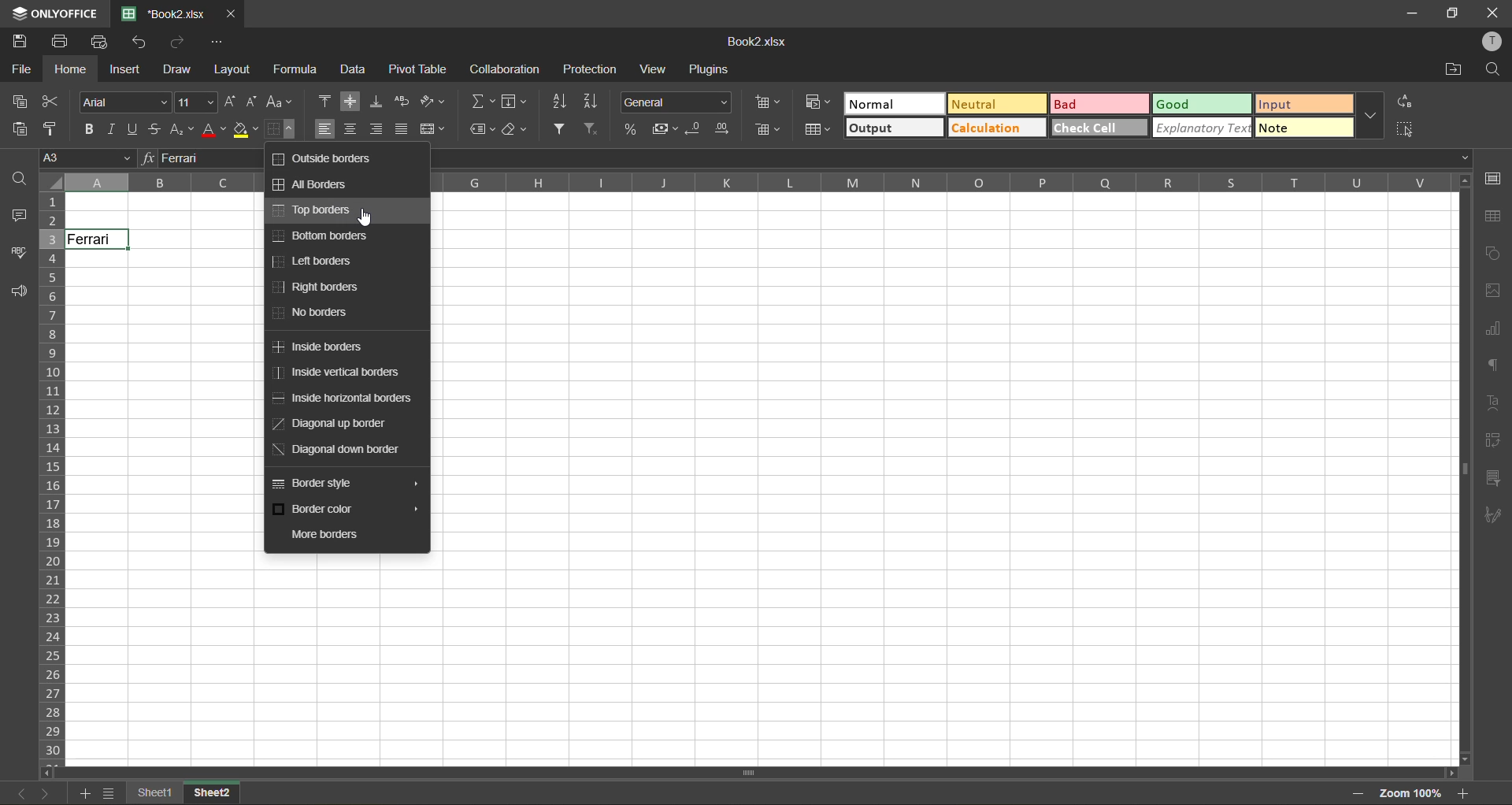 The width and height of the screenshot is (1512, 805). Describe the element at coordinates (404, 101) in the screenshot. I see `wrap text` at that location.